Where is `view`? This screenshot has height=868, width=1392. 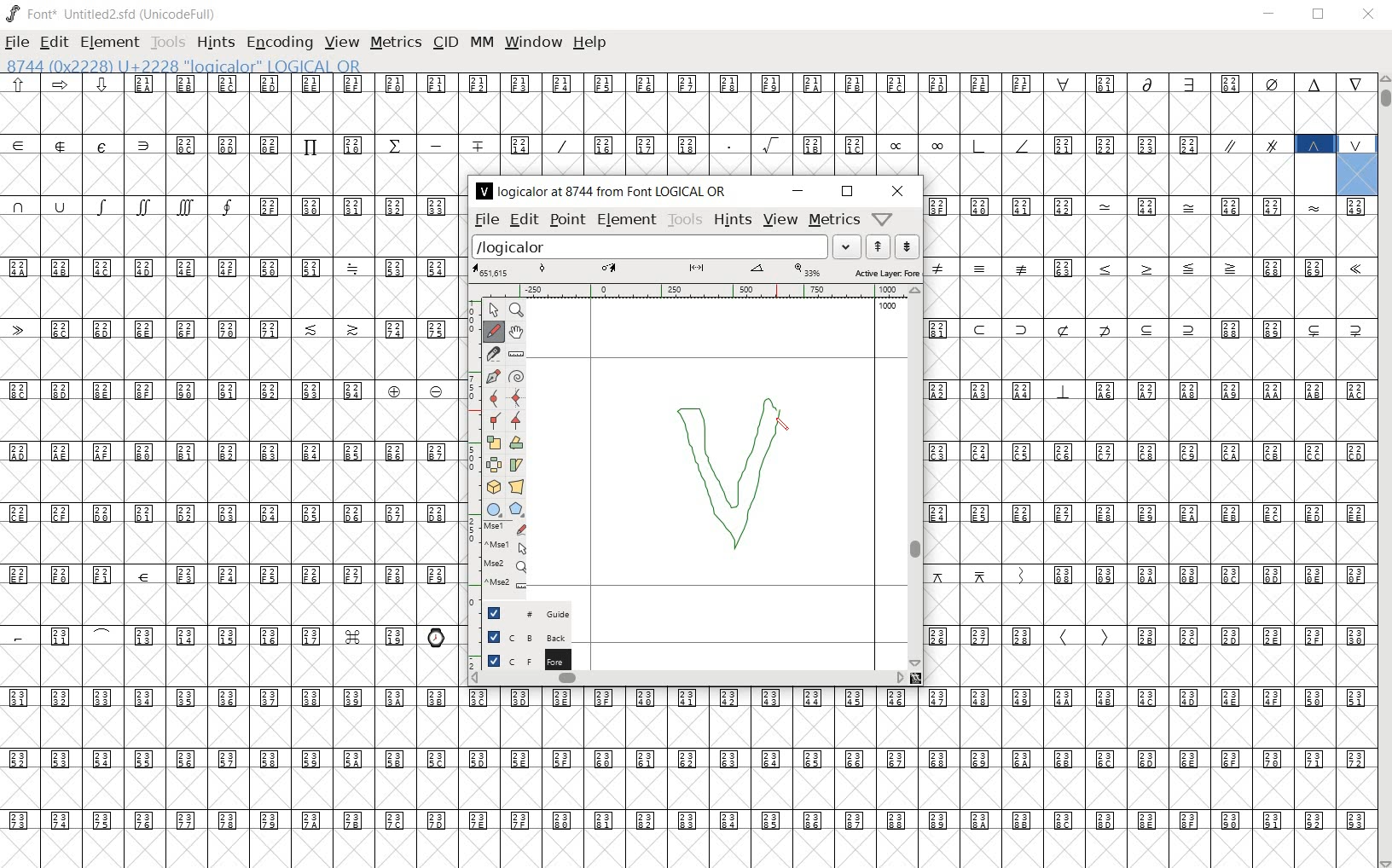 view is located at coordinates (780, 220).